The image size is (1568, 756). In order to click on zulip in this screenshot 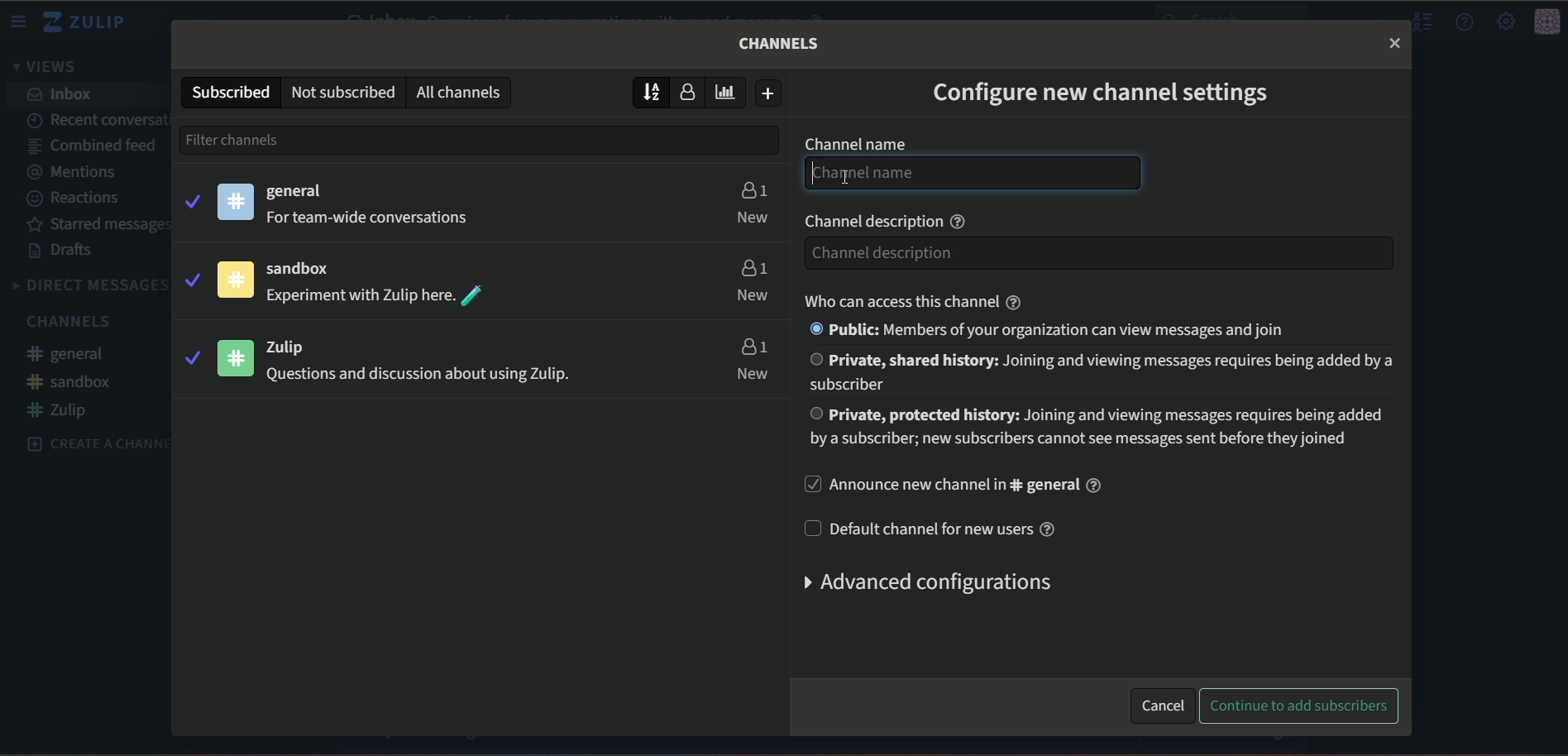, I will do `click(298, 346)`.